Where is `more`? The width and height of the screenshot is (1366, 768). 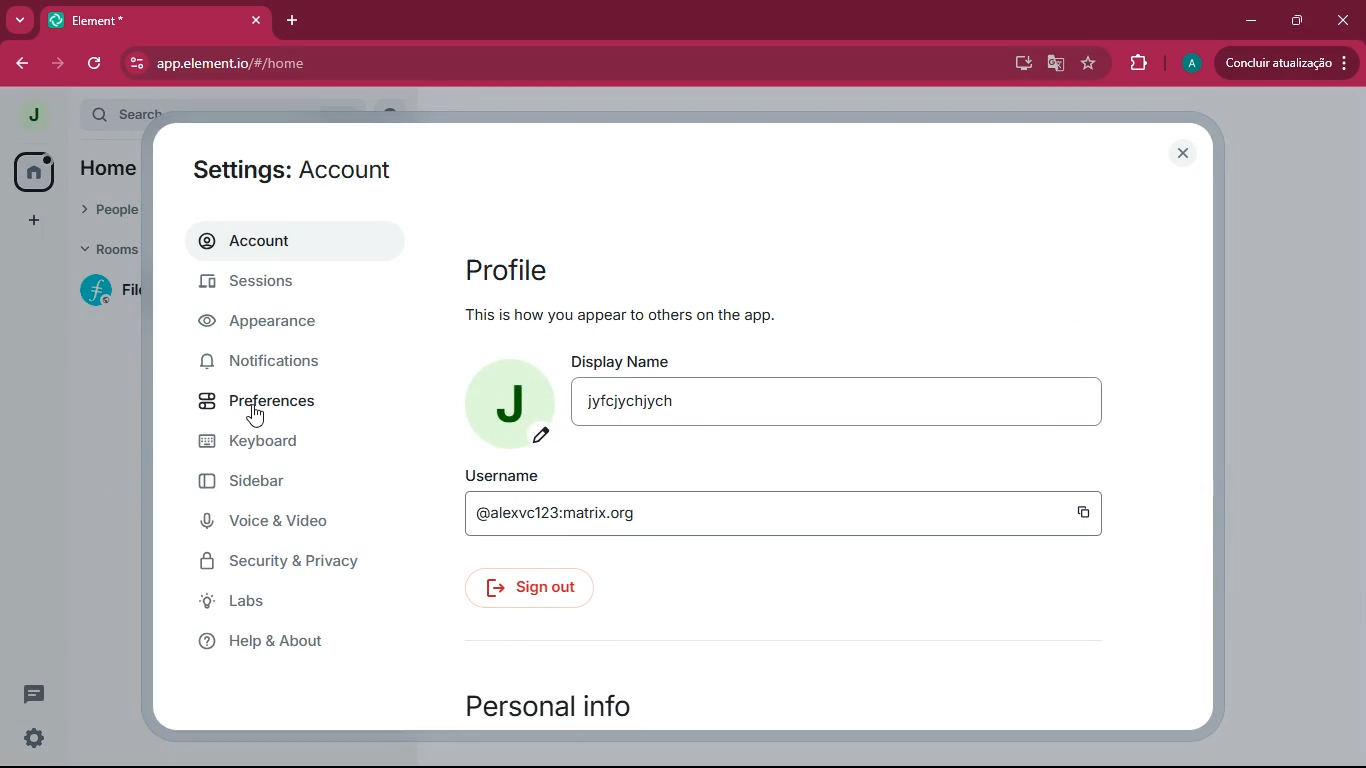 more is located at coordinates (36, 219).